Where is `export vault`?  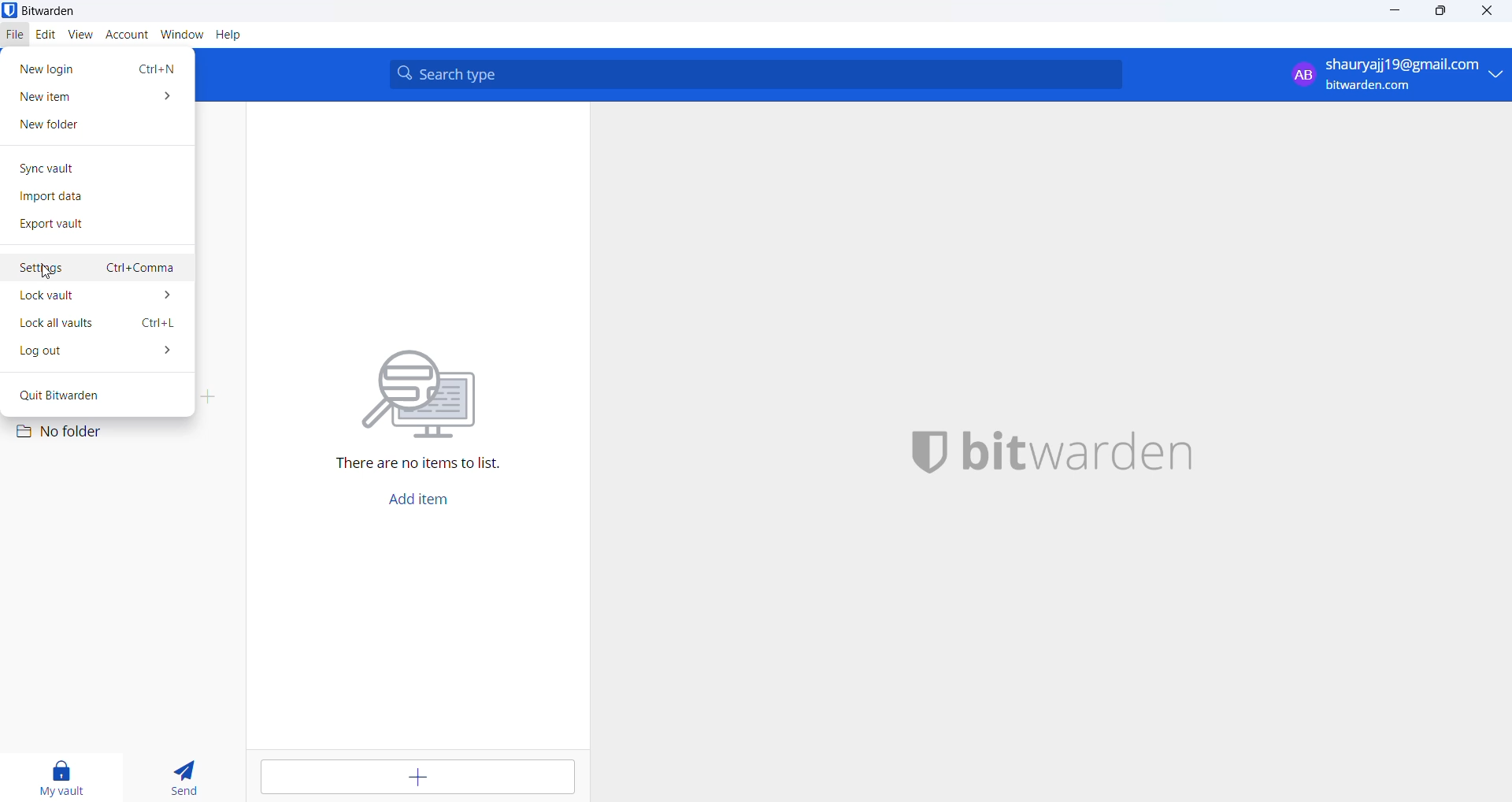 export vault is located at coordinates (95, 225).